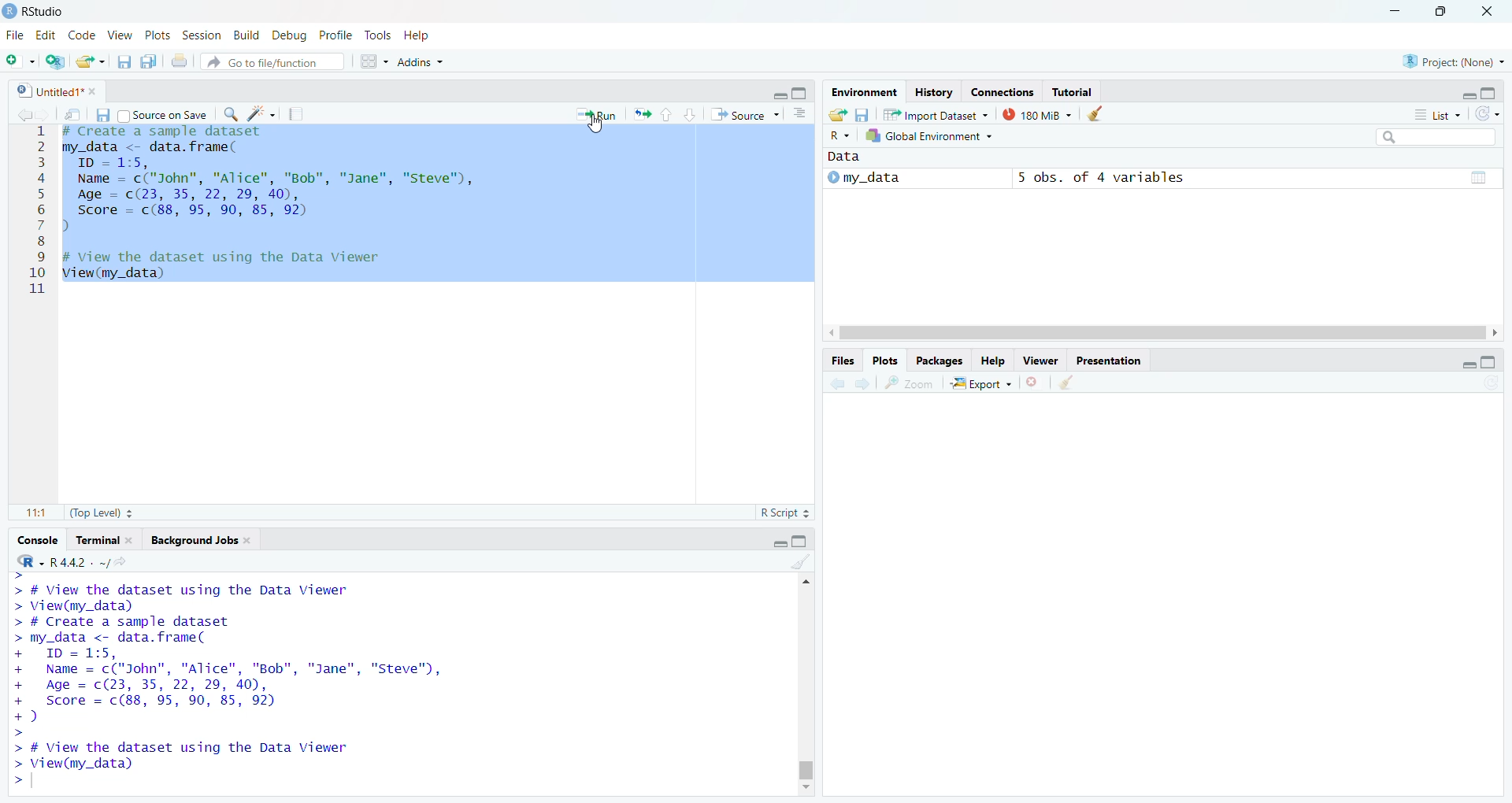 The height and width of the screenshot is (803, 1512). Describe the element at coordinates (842, 157) in the screenshot. I see `Data` at that location.